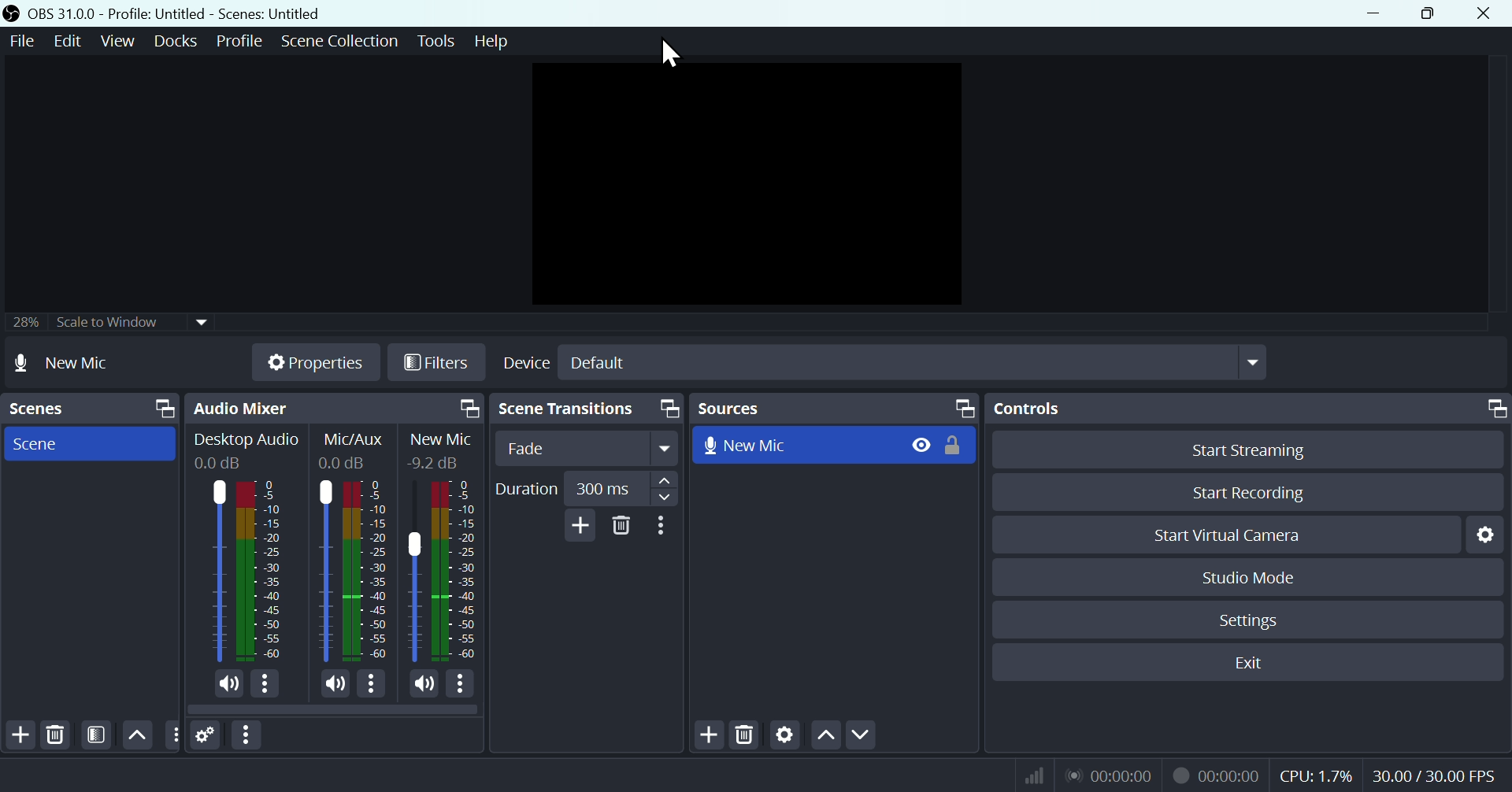 The width and height of the screenshot is (1512, 792). What do you see at coordinates (184, 13) in the screenshot?
I see `OBS 31.0 .0 profile: untitled scenes: untitled` at bounding box center [184, 13].